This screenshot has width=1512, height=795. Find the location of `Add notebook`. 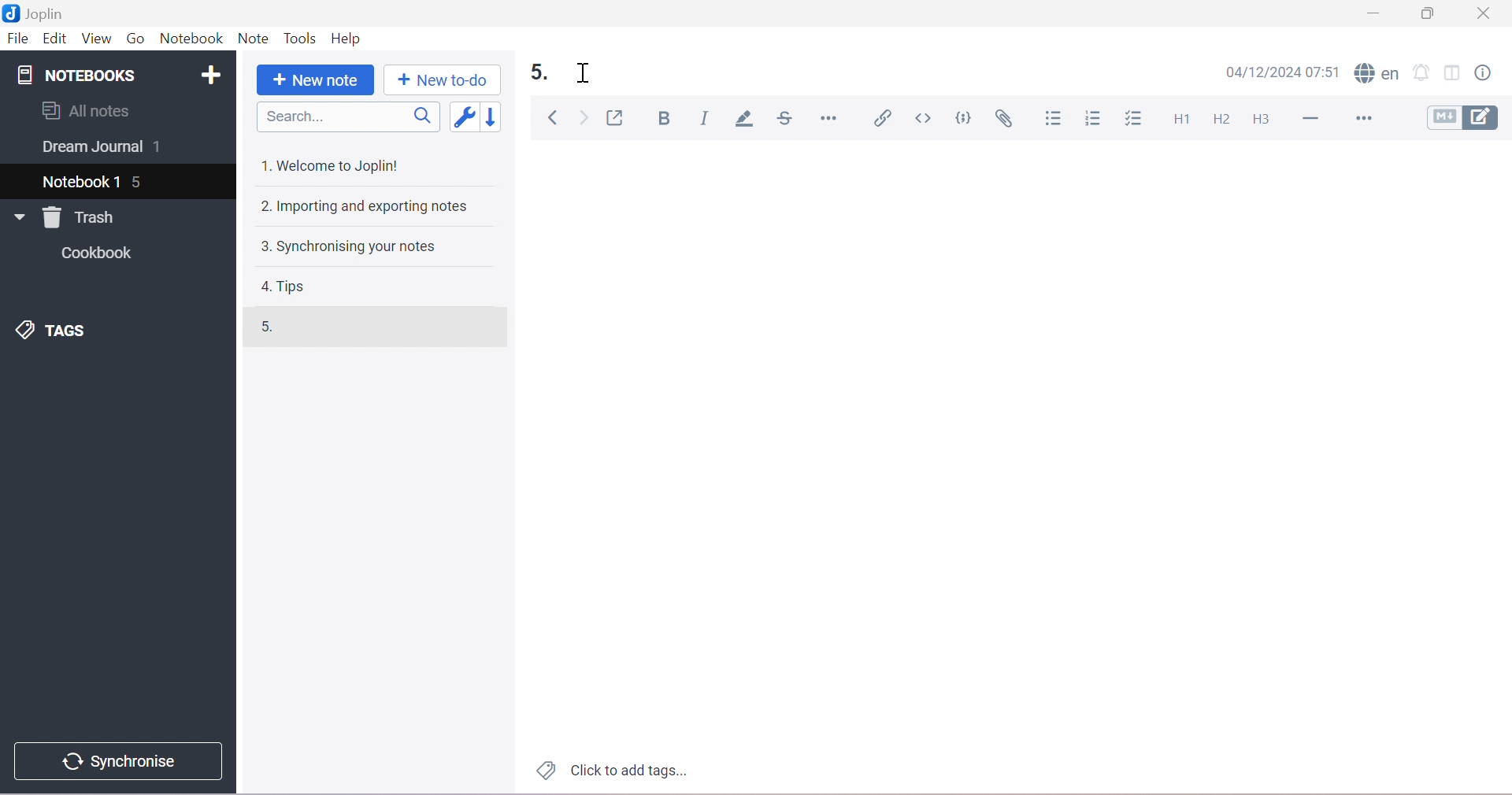

Add notebook is located at coordinates (215, 72).